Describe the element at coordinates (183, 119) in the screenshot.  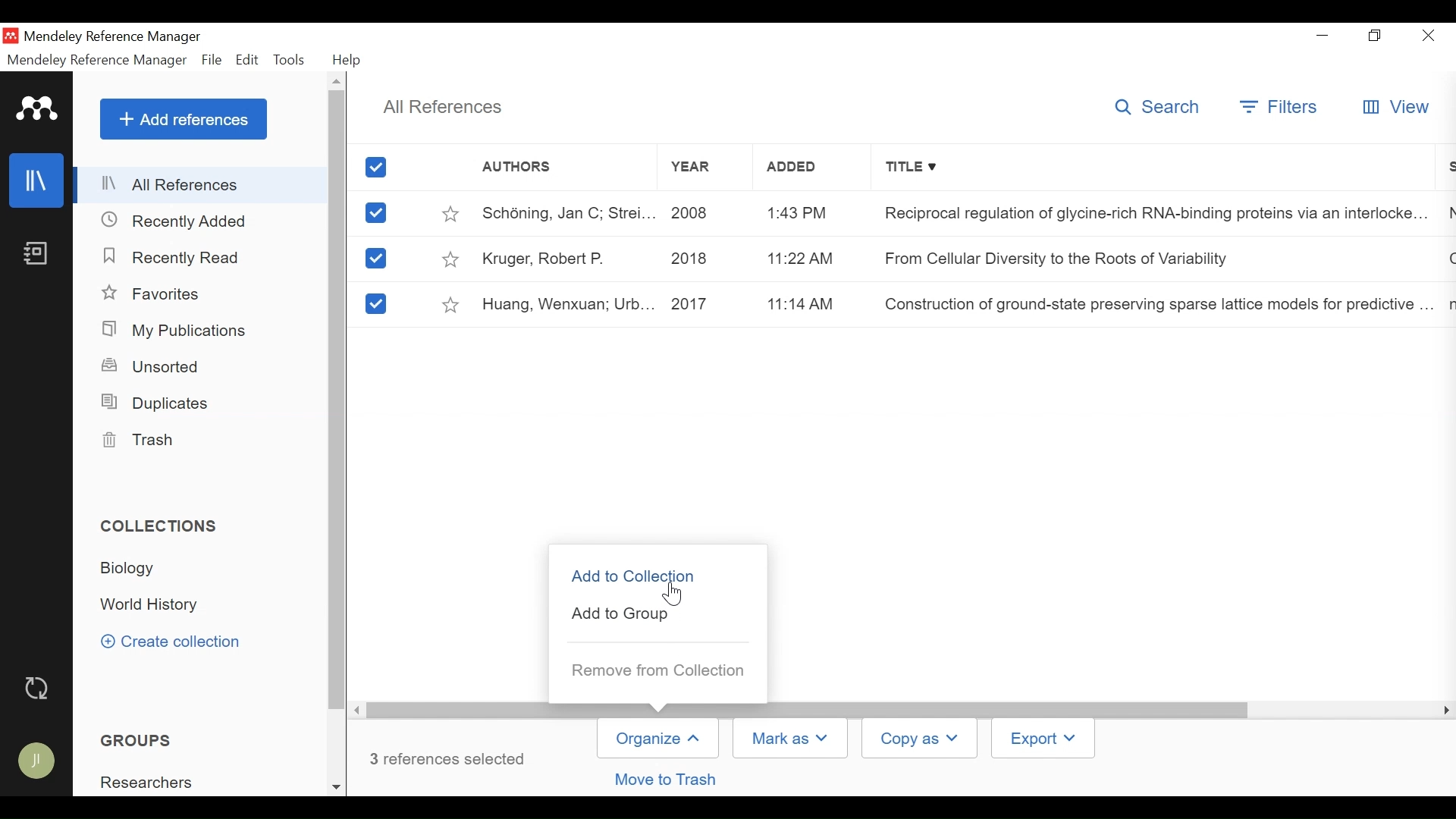
I see `Add Reference` at that location.